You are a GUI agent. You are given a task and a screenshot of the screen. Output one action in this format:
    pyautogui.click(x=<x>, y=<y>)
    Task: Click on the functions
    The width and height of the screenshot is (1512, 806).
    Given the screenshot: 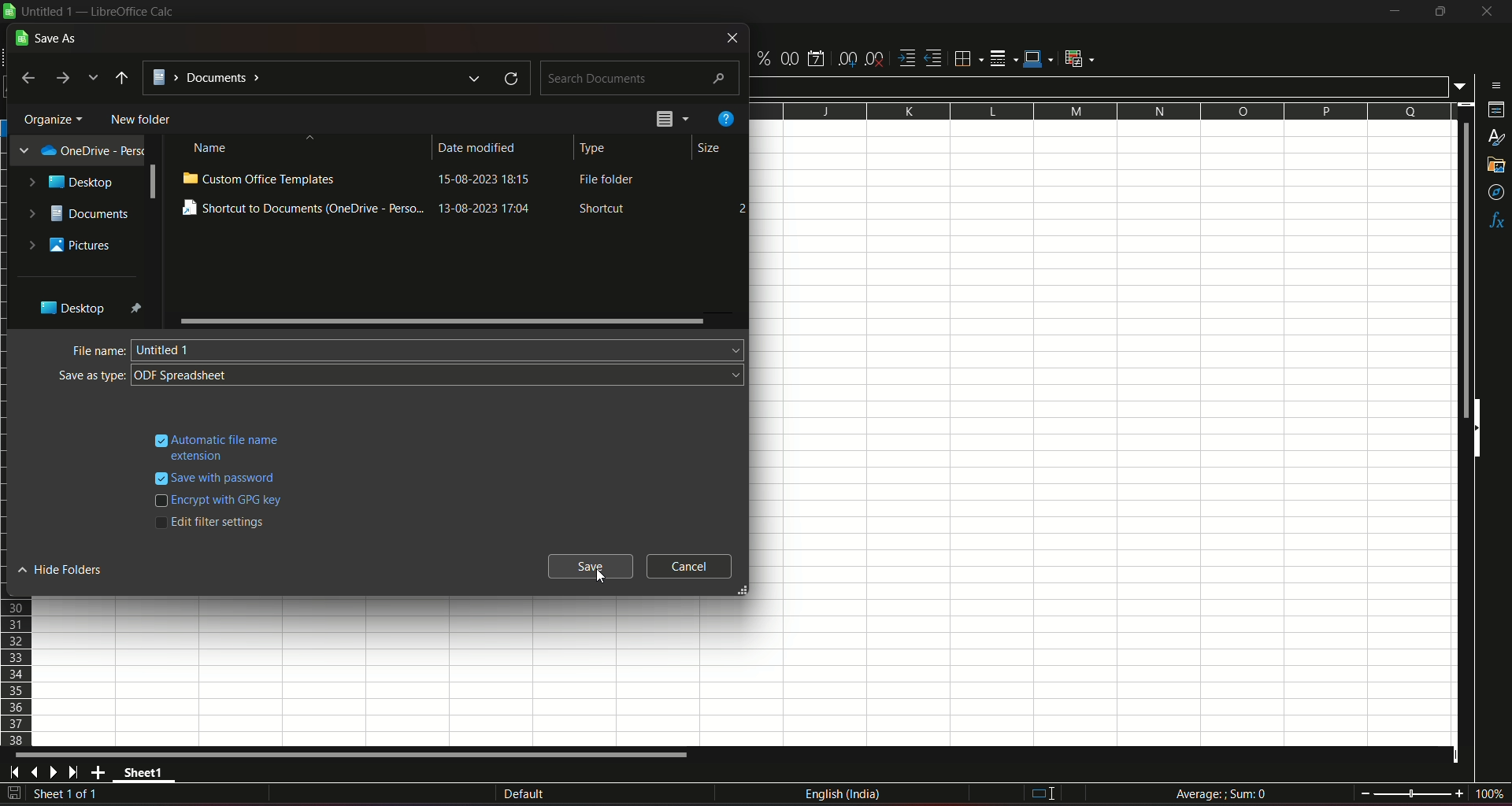 What is the action you would take?
    pyautogui.click(x=1495, y=221)
    